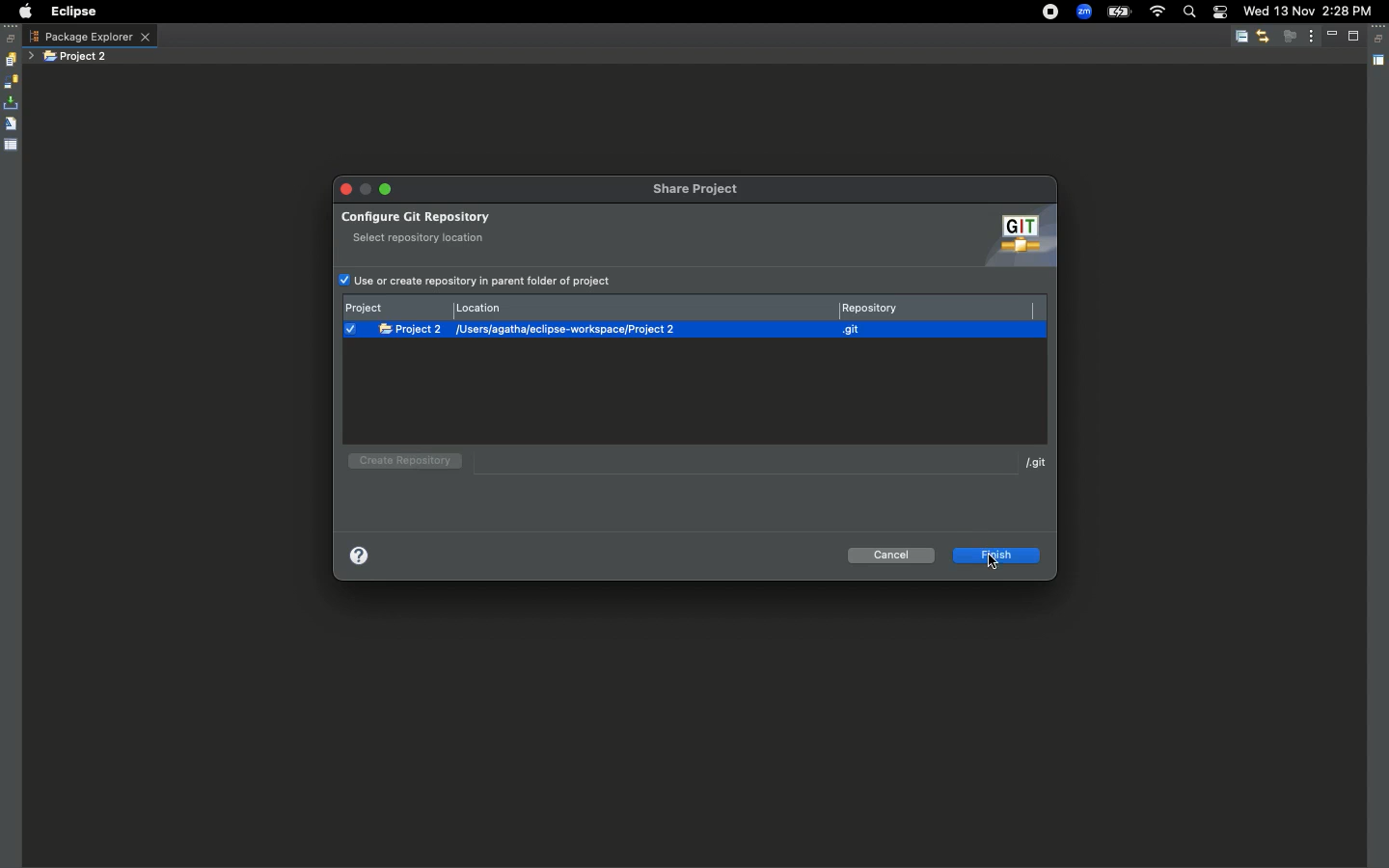 The image size is (1389, 868). What do you see at coordinates (13, 103) in the screenshot?
I see `Git staging ` at bounding box center [13, 103].